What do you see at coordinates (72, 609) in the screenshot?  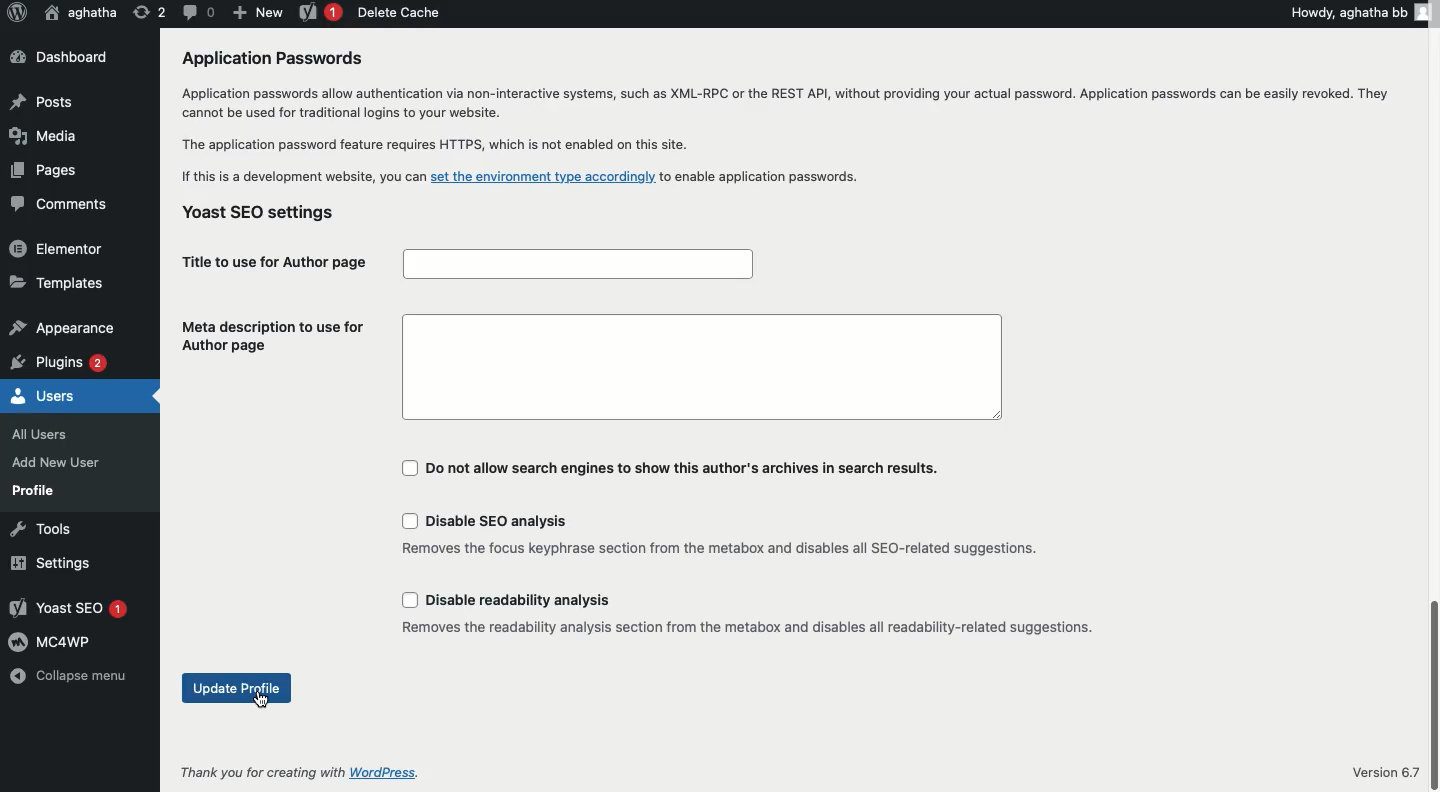 I see `Yoast SEO 1` at bounding box center [72, 609].